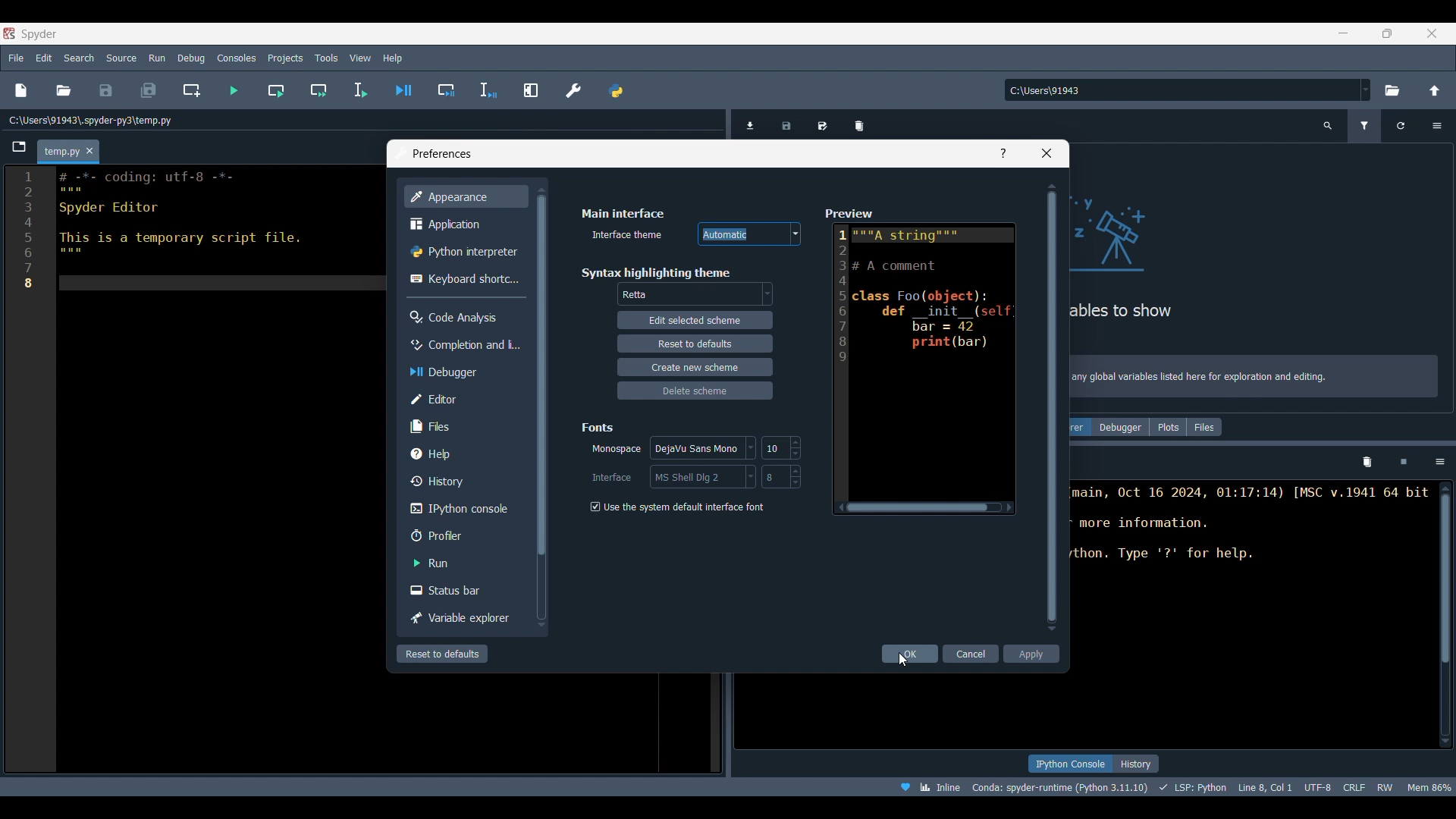  What do you see at coordinates (1401, 126) in the screenshot?
I see `Refresh variables` at bounding box center [1401, 126].